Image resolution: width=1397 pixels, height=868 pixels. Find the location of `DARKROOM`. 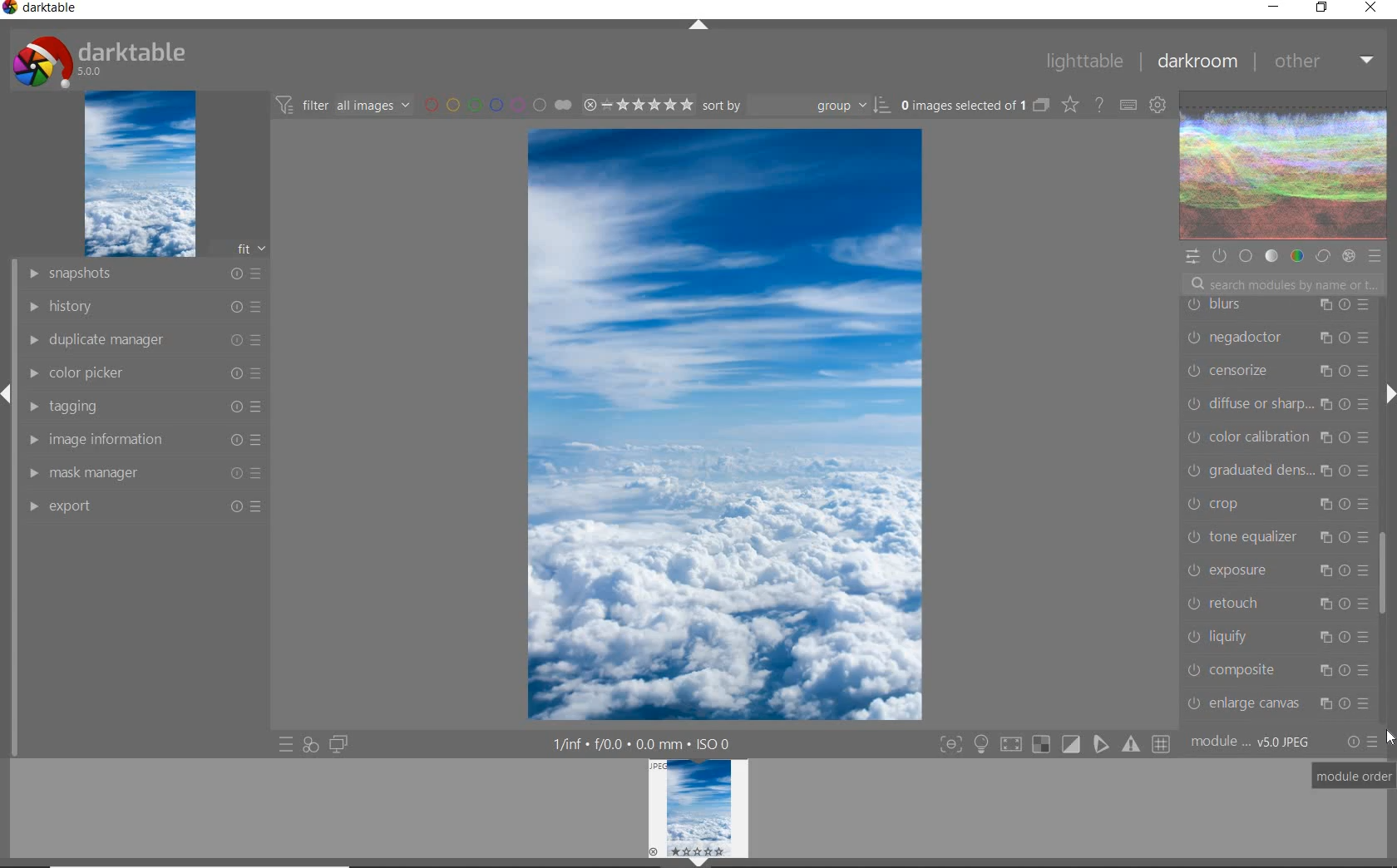

DARKROOM is located at coordinates (1196, 62).